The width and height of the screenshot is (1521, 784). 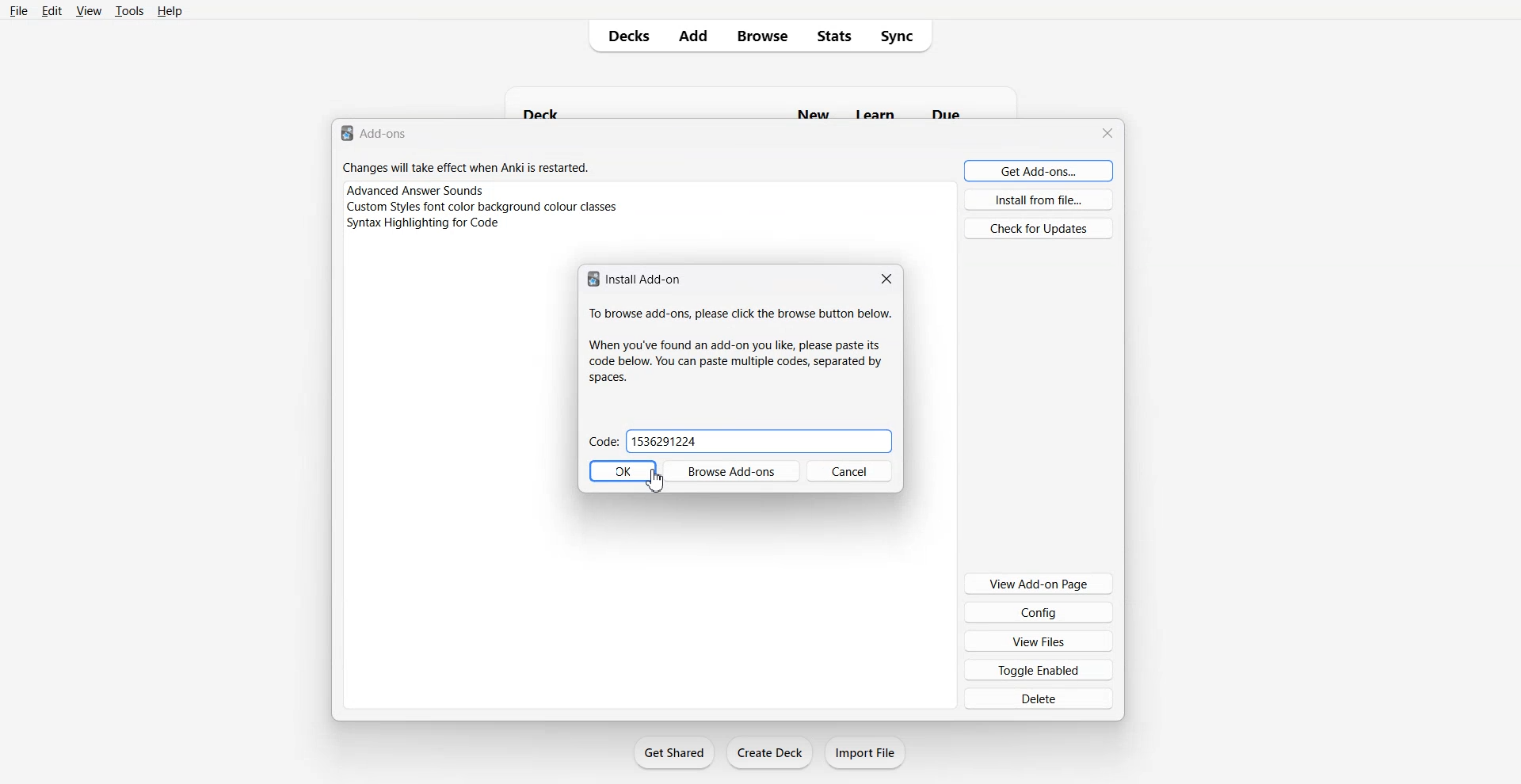 What do you see at coordinates (884, 279) in the screenshot?
I see `Close` at bounding box center [884, 279].